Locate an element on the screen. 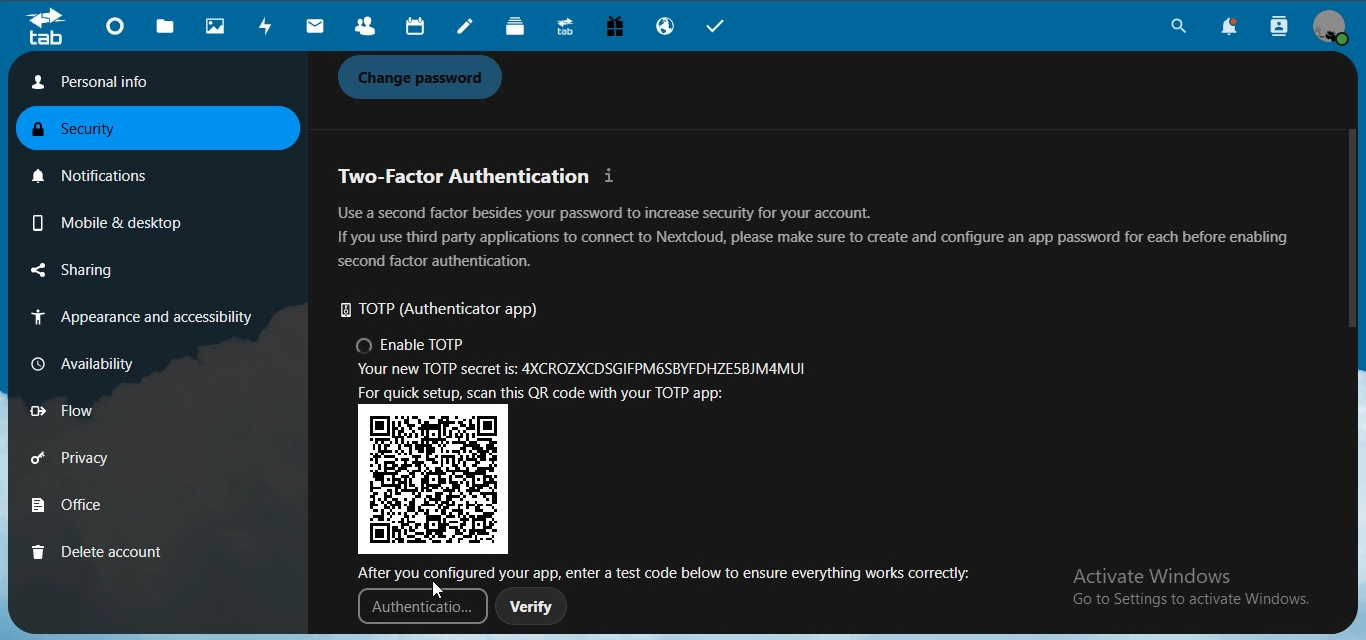 The width and height of the screenshot is (1366, 640). notifications is located at coordinates (1236, 28).